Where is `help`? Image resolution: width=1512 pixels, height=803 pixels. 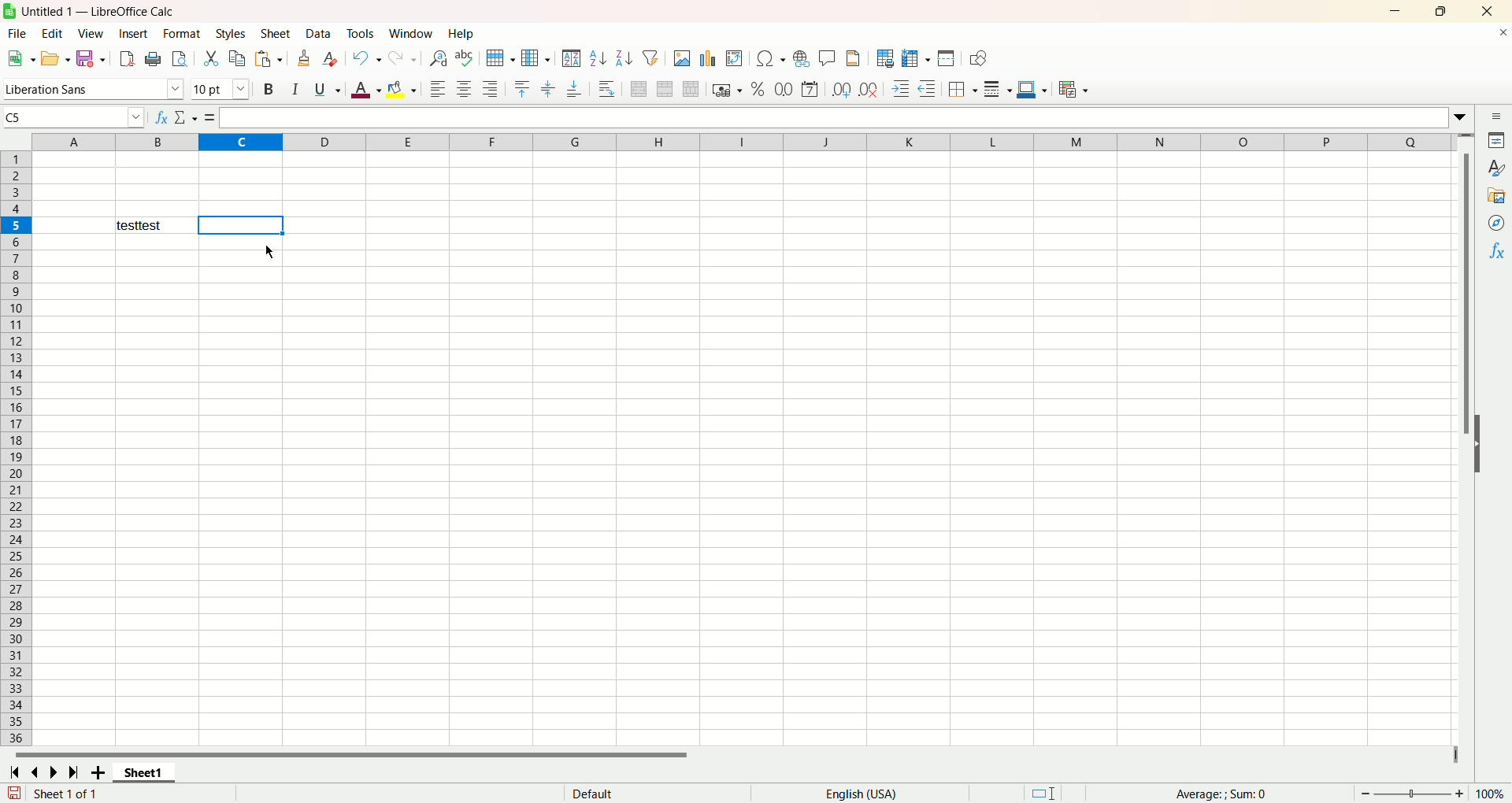 help is located at coordinates (459, 35).